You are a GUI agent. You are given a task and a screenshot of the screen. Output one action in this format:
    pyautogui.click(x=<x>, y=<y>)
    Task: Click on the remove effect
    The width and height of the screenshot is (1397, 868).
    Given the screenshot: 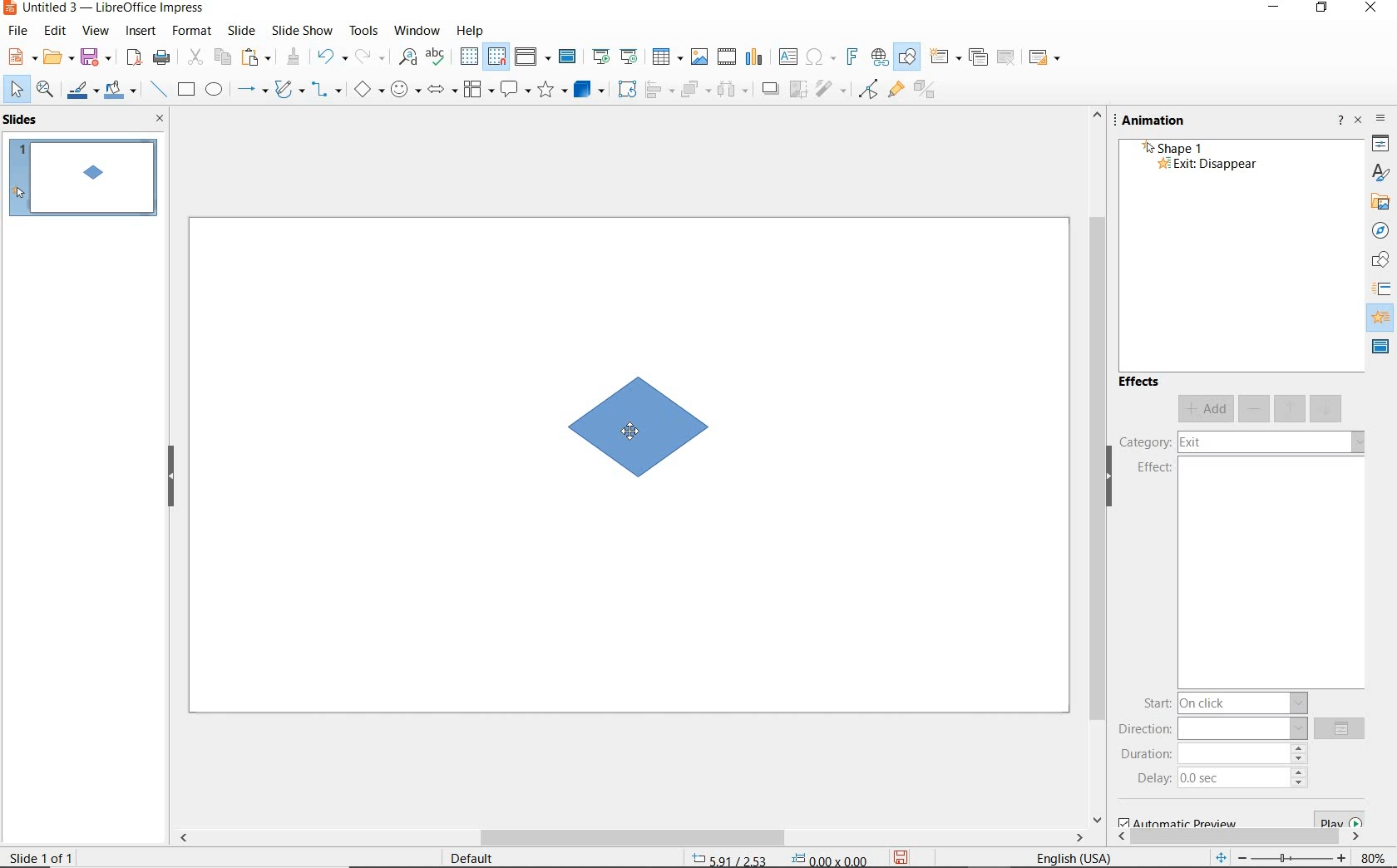 What is the action you would take?
    pyautogui.click(x=1254, y=409)
    